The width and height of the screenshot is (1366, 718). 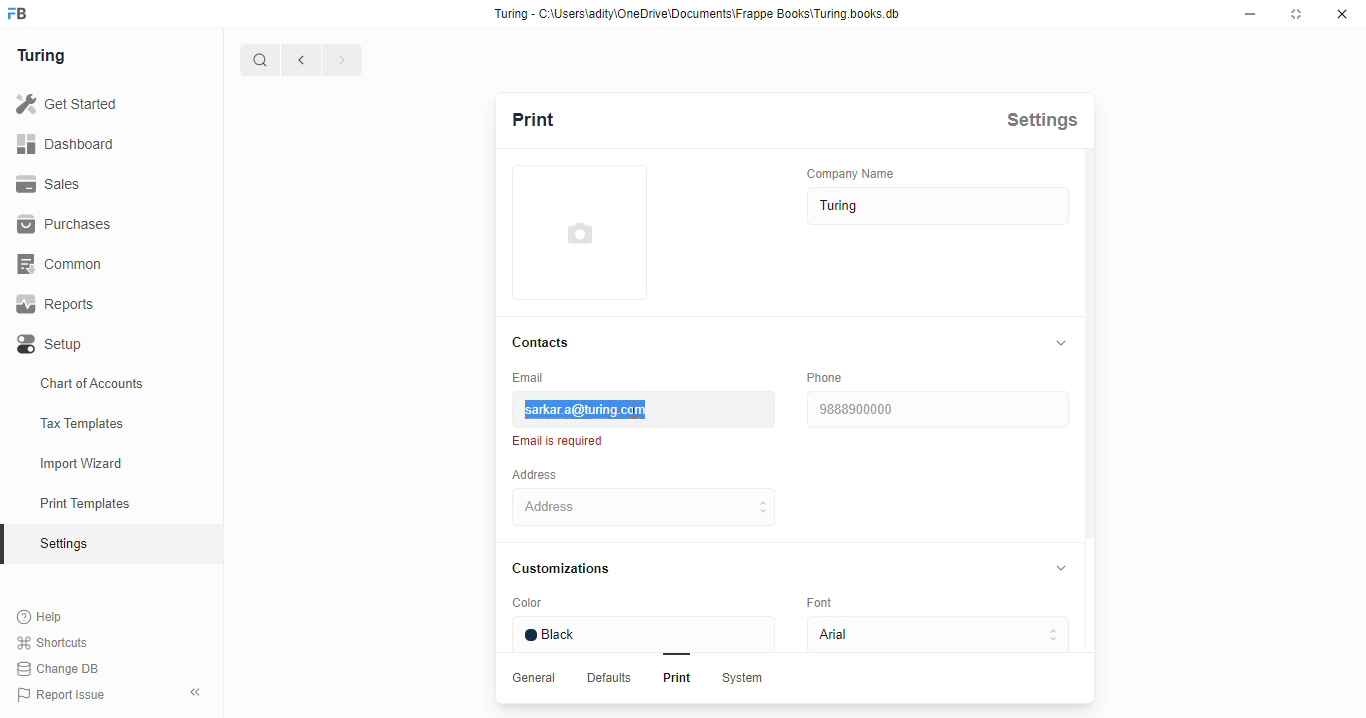 I want to click on Purchases, so click(x=64, y=224).